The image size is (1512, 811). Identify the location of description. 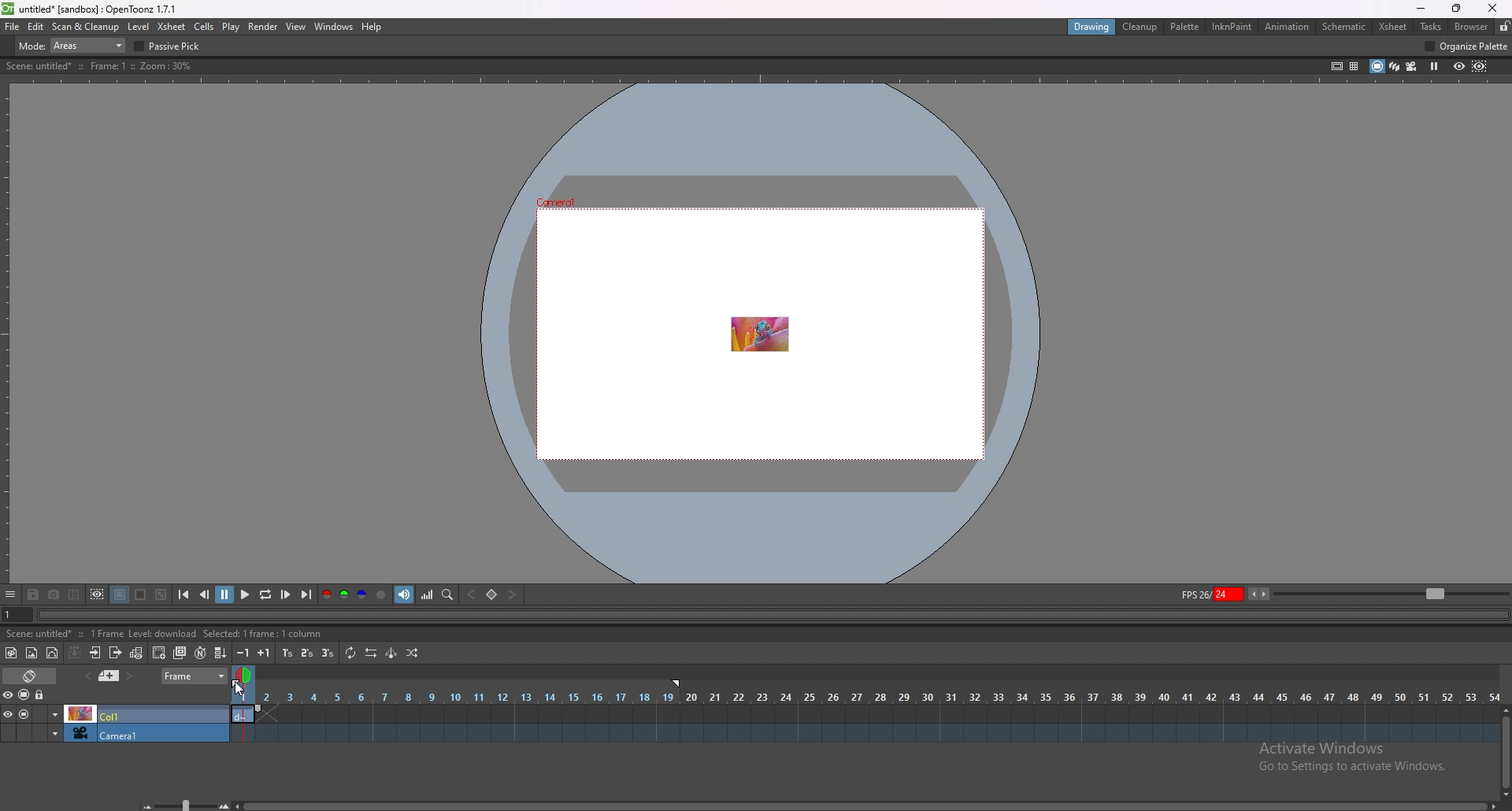
(101, 66).